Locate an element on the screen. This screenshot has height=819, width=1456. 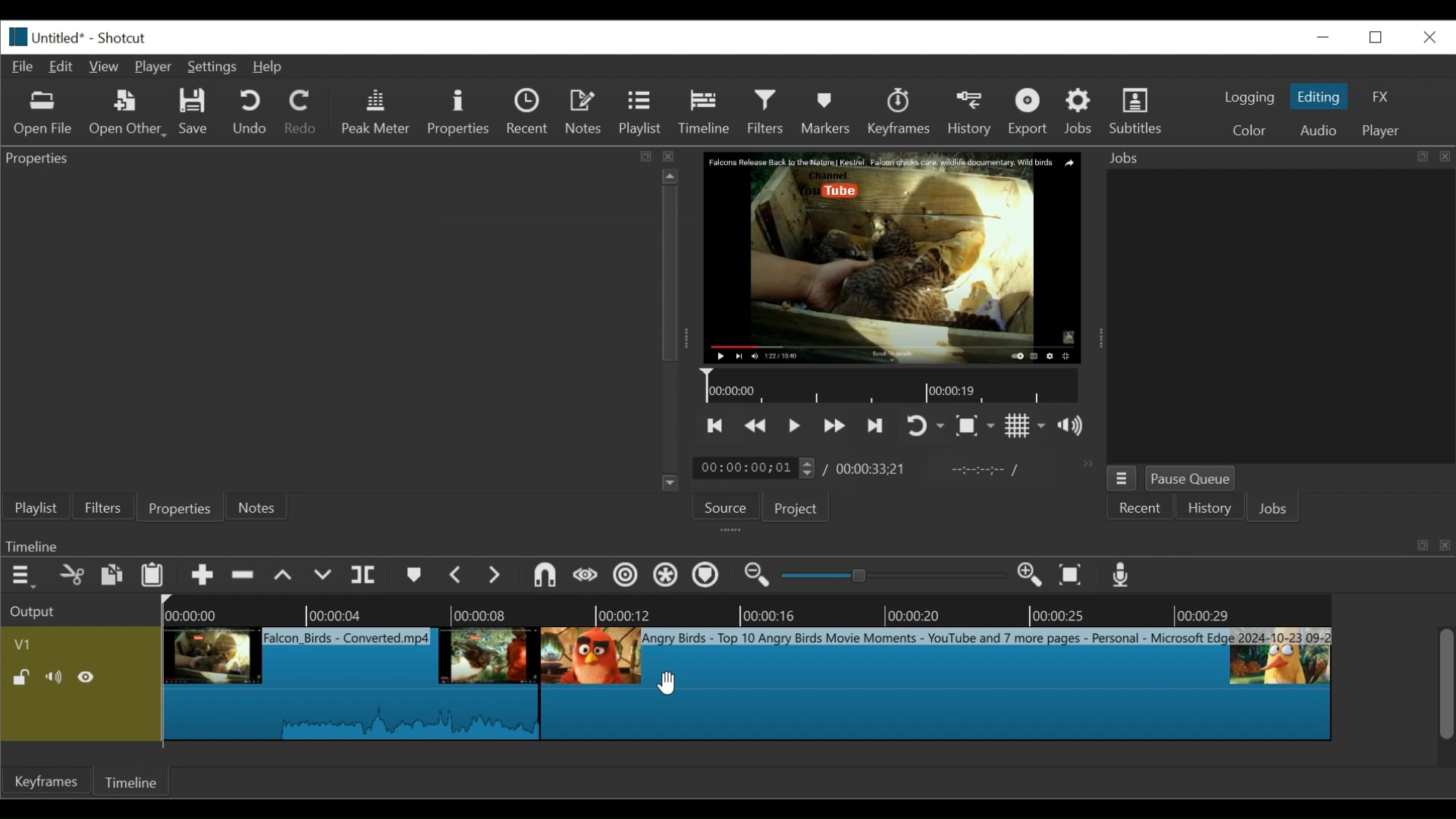
Total Duration is located at coordinates (872, 469).